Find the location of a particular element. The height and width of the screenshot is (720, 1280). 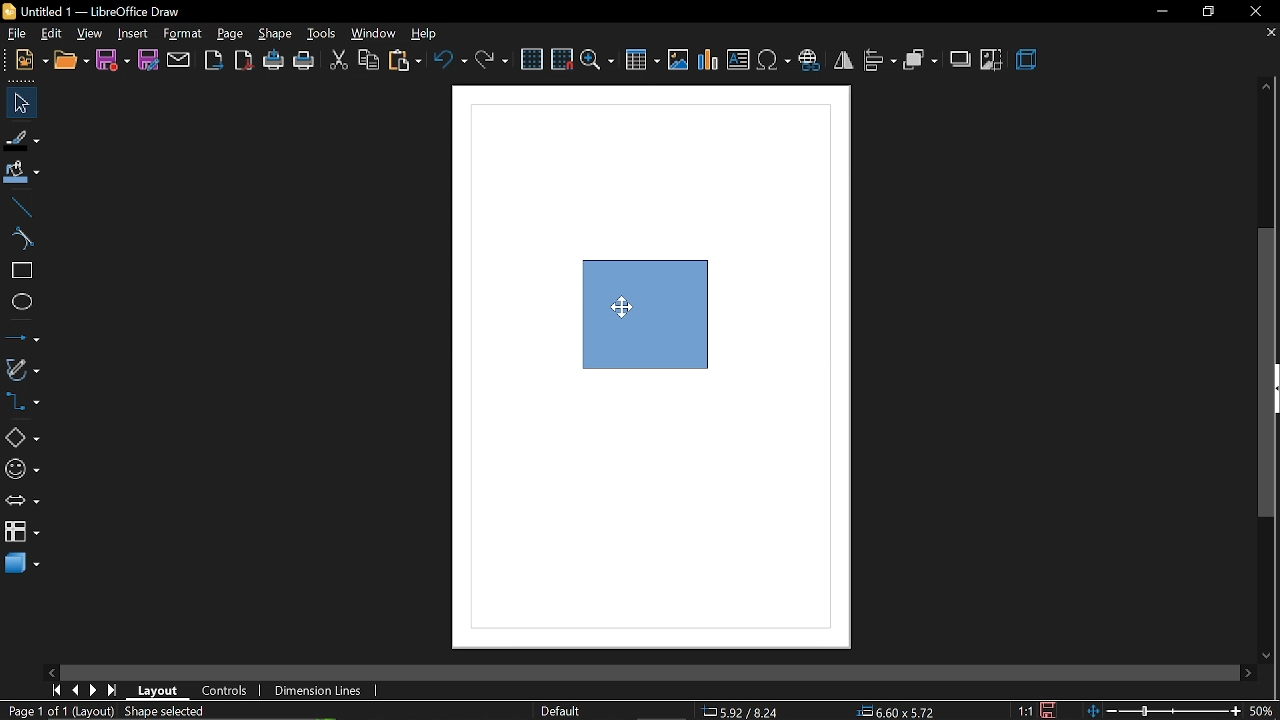

crop is located at coordinates (992, 59).